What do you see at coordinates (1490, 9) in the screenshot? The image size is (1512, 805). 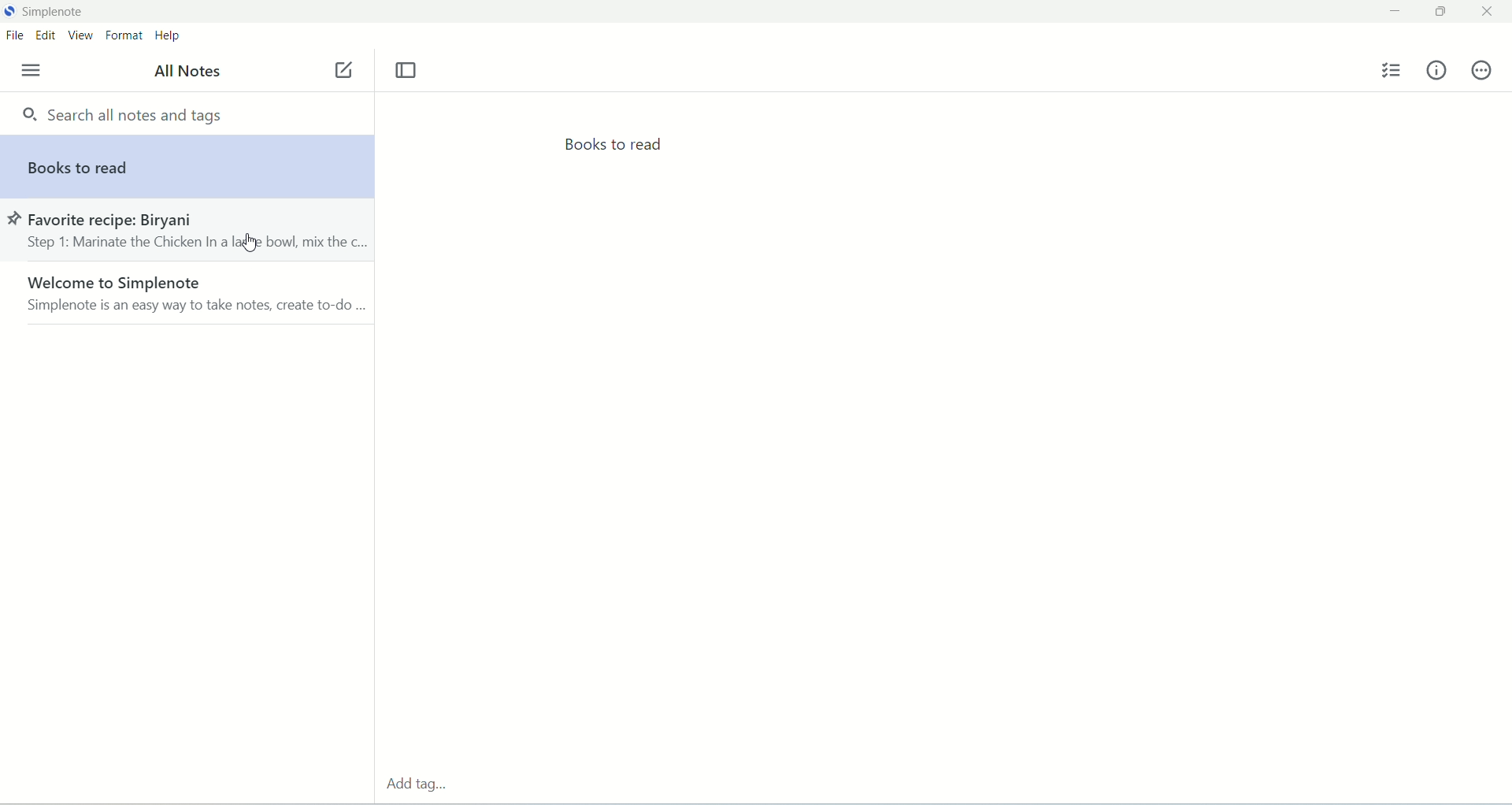 I see `close` at bounding box center [1490, 9].